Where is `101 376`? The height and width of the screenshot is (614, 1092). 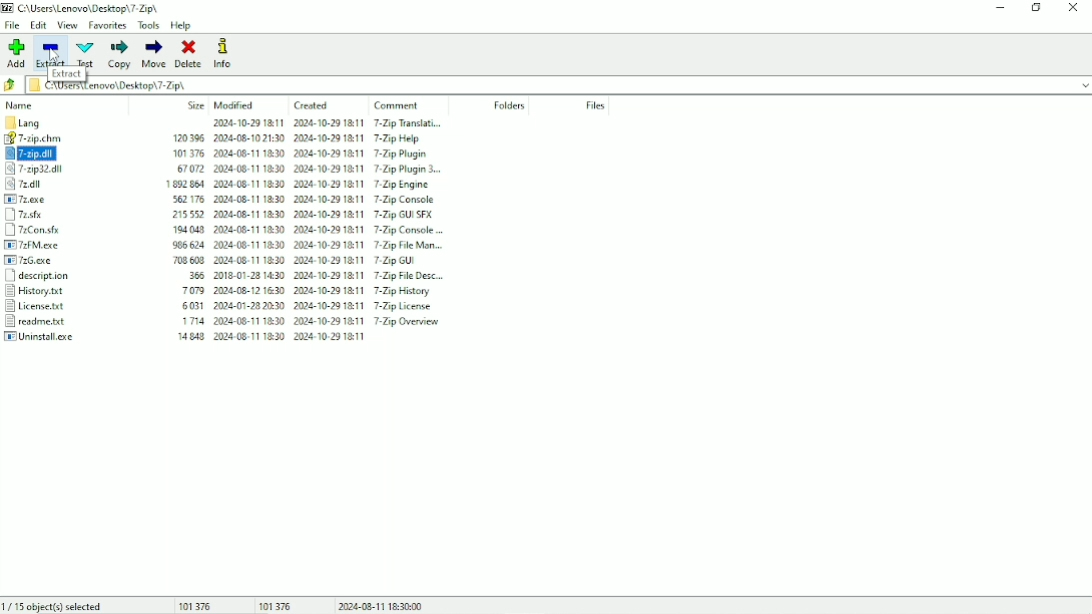 101 376 is located at coordinates (275, 605).